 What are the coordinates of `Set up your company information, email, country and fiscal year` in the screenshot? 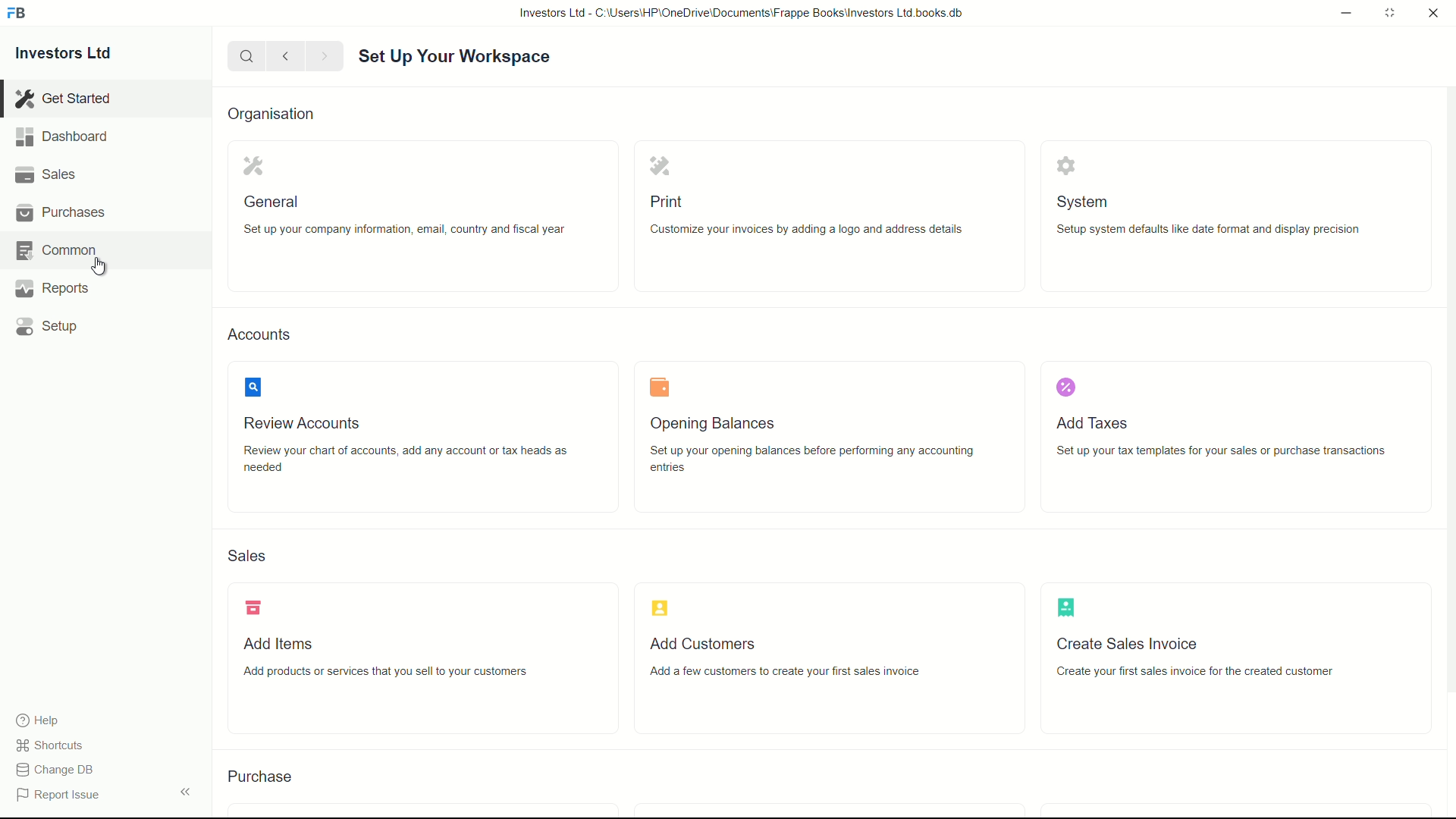 It's located at (407, 231).